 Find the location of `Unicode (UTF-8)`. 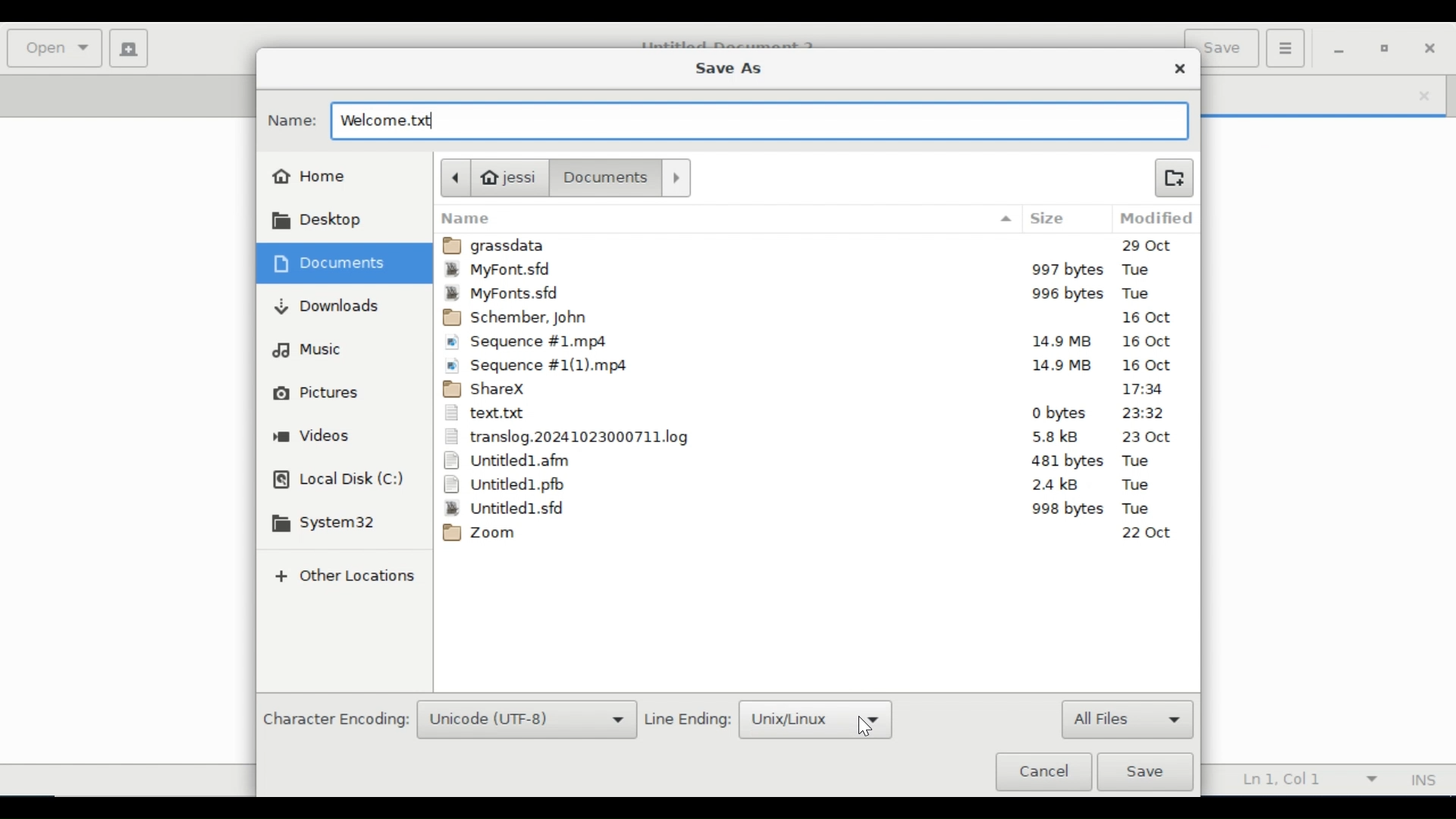

Unicode (UTF-8) is located at coordinates (526, 720).